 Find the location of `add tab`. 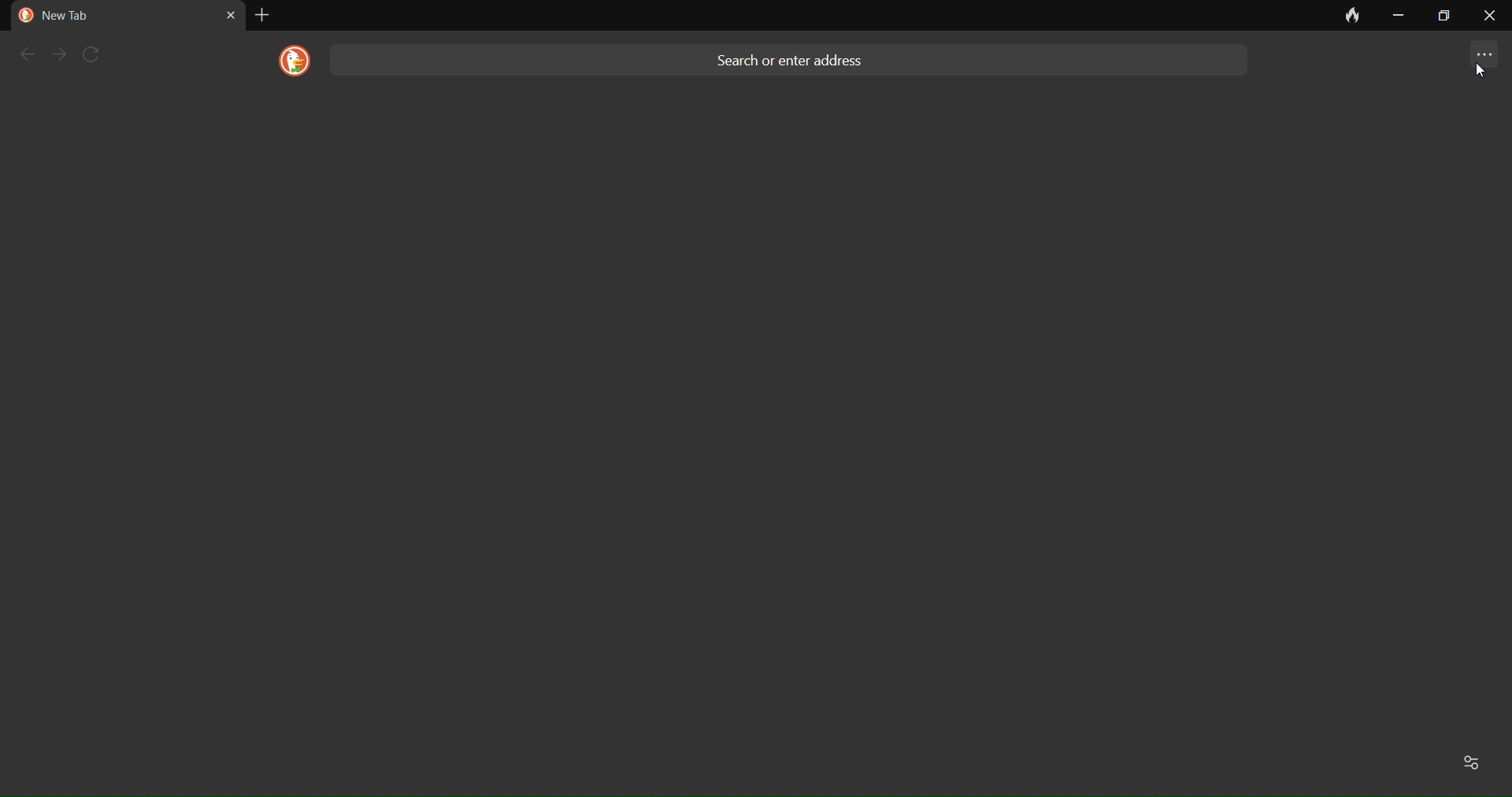

add tab is located at coordinates (261, 15).